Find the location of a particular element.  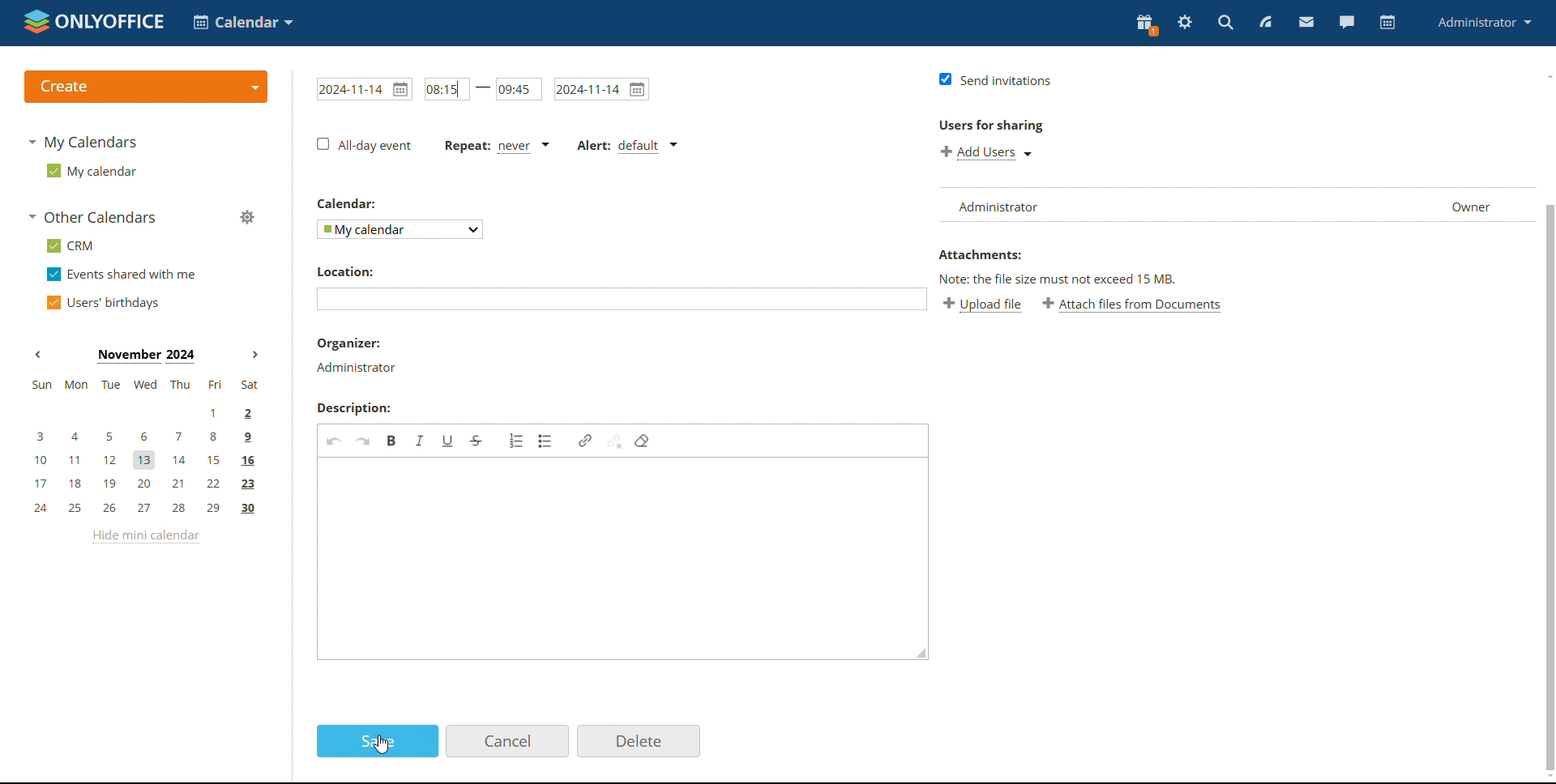

start date is located at coordinates (364, 88).